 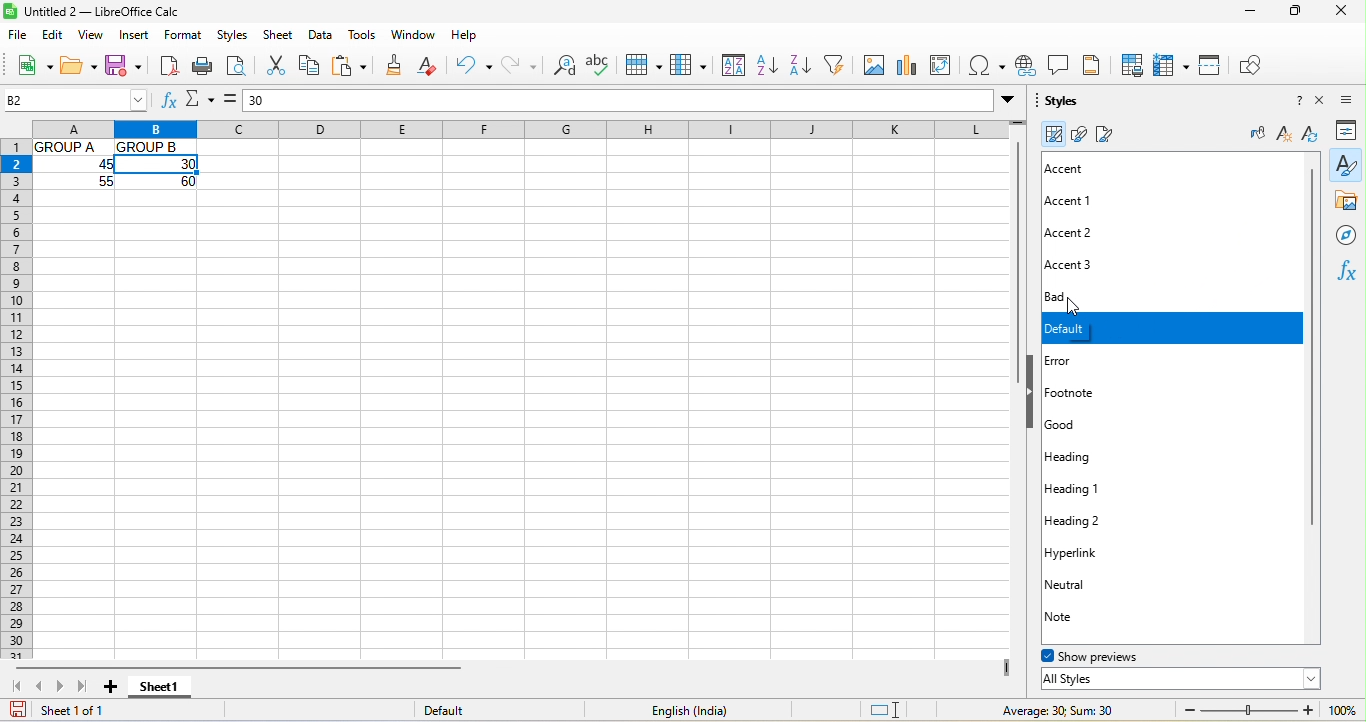 I want to click on cell style , so click(x=1053, y=135).